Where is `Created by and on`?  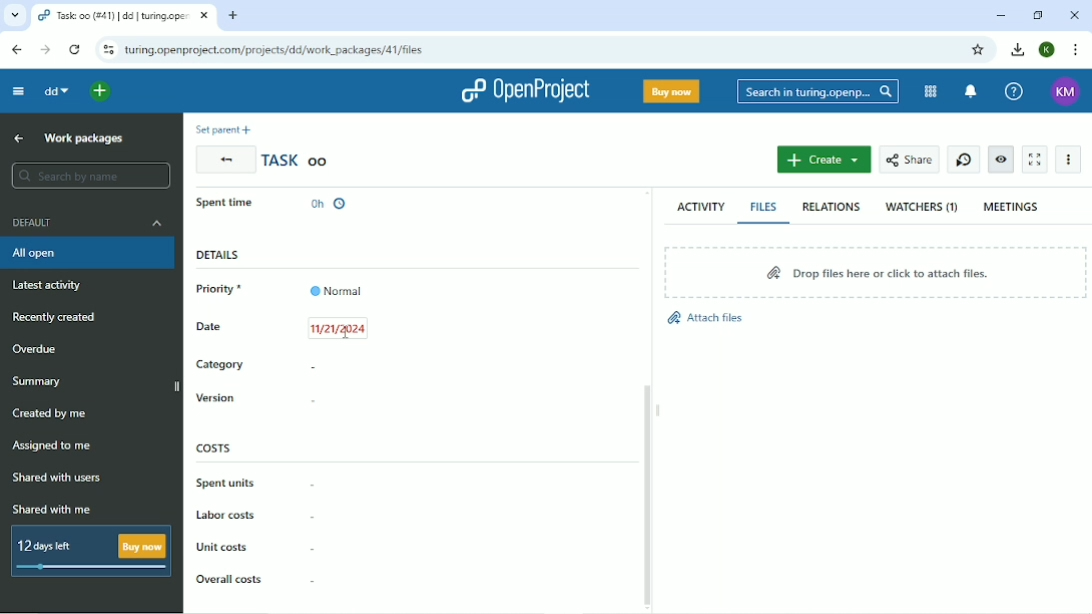
Created by and on is located at coordinates (419, 207).